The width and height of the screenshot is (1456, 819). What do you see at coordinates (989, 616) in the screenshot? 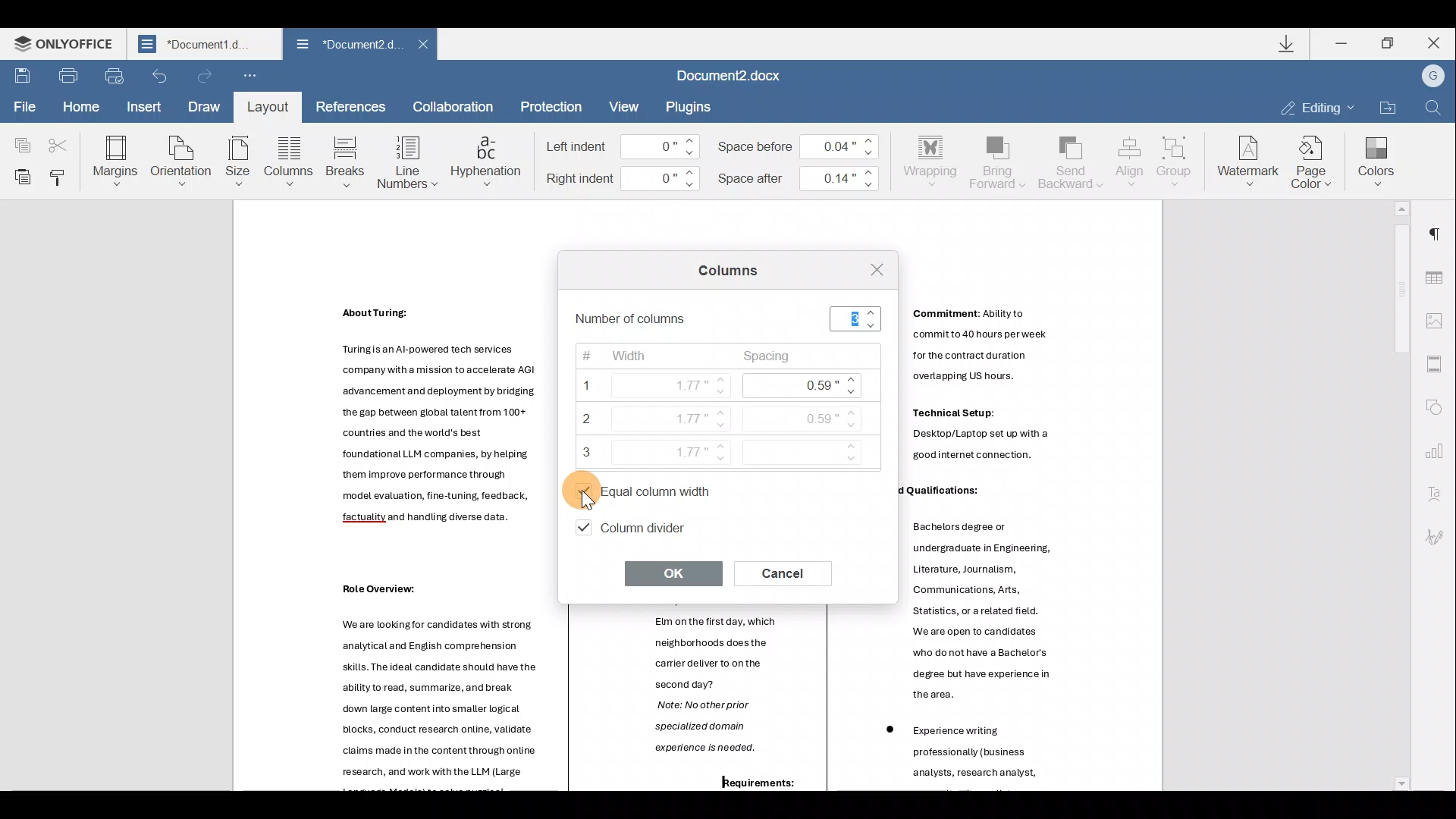
I see `` at bounding box center [989, 616].